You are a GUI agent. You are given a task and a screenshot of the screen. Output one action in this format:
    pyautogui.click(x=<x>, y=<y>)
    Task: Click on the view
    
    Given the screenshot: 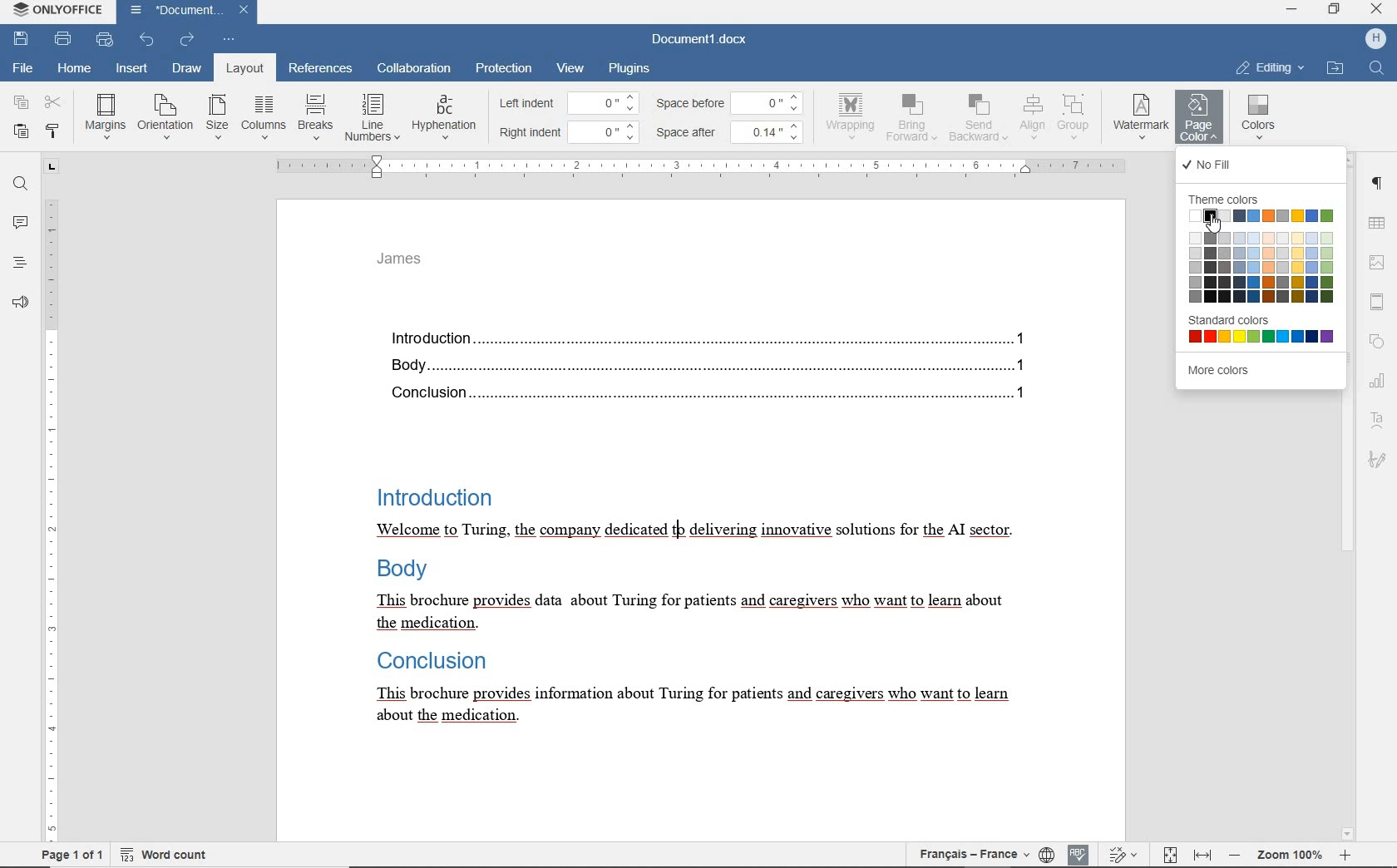 What is the action you would take?
    pyautogui.click(x=573, y=68)
    